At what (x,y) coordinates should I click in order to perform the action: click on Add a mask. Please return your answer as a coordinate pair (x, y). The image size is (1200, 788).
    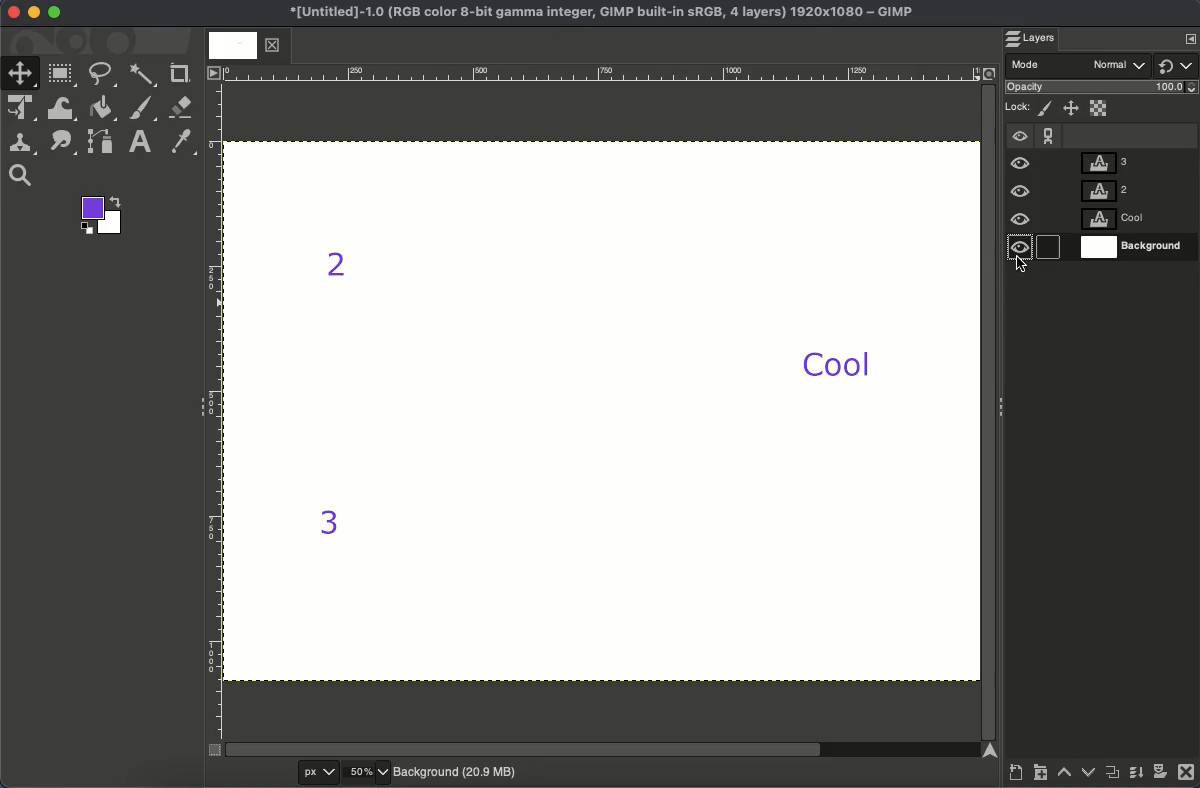
    Looking at the image, I should click on (1160, 775).